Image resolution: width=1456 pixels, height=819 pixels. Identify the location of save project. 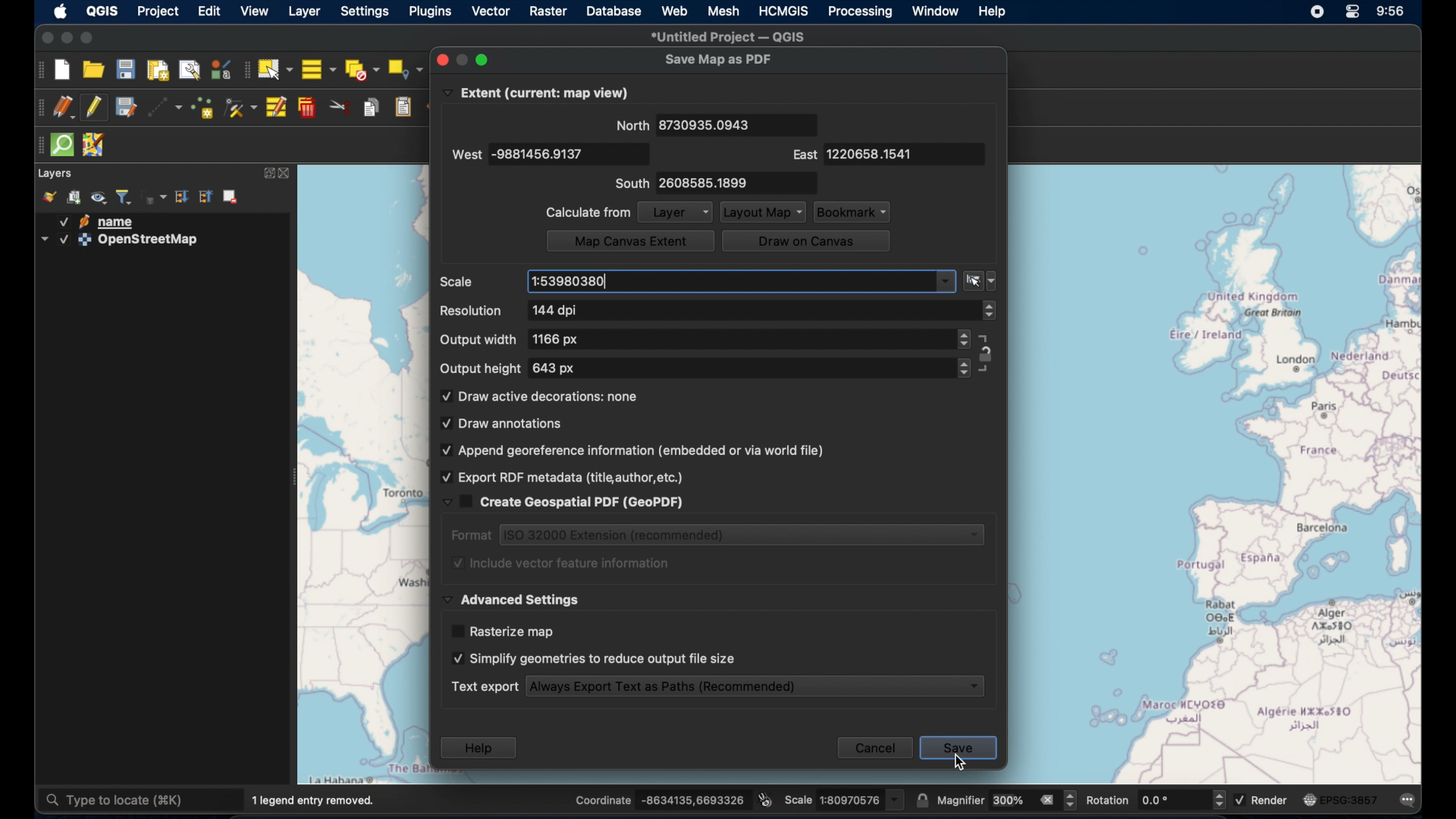
(125, 70).